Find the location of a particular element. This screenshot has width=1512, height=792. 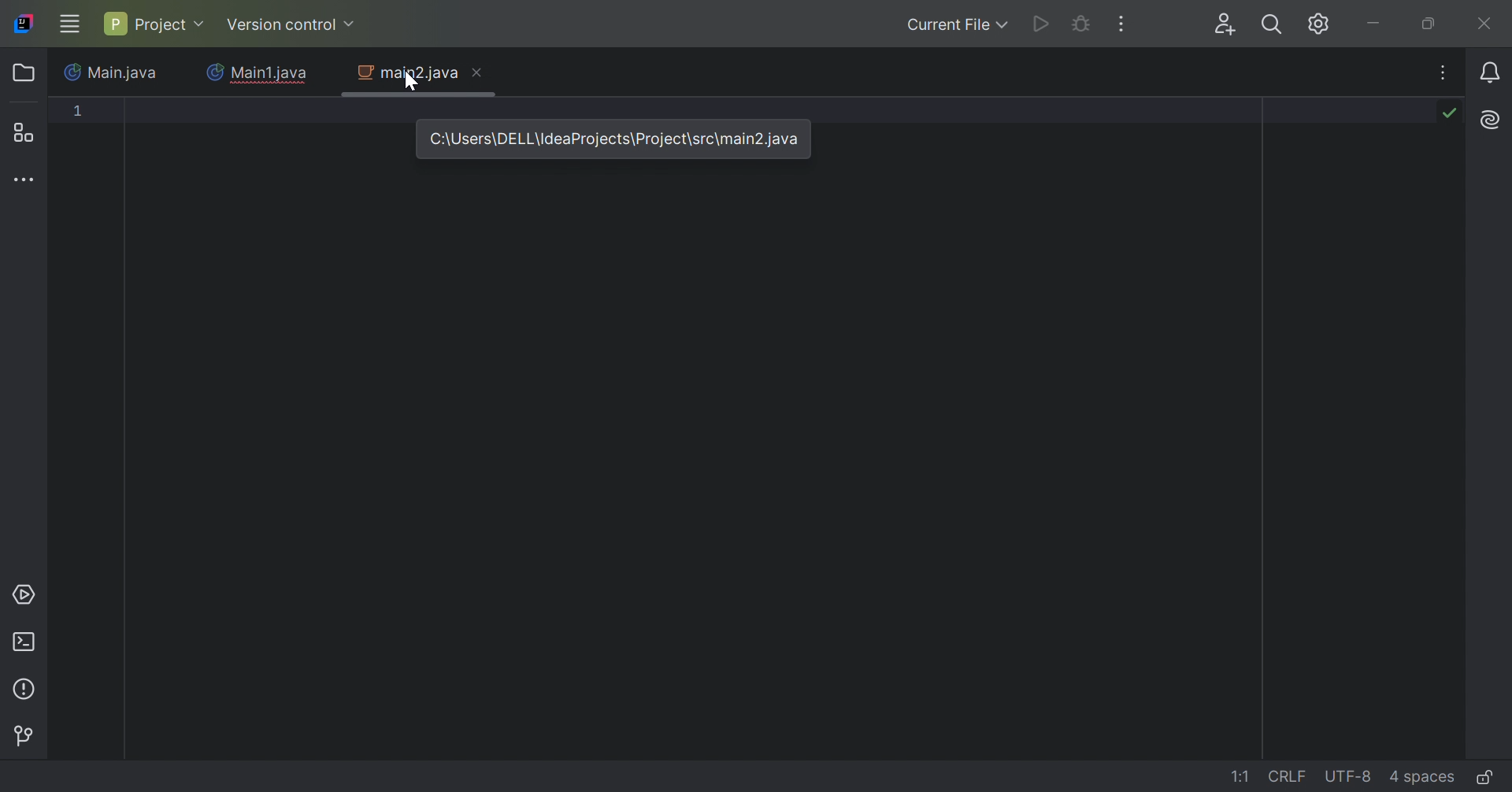

UTF-8 is located at coordinates (1352, 776).